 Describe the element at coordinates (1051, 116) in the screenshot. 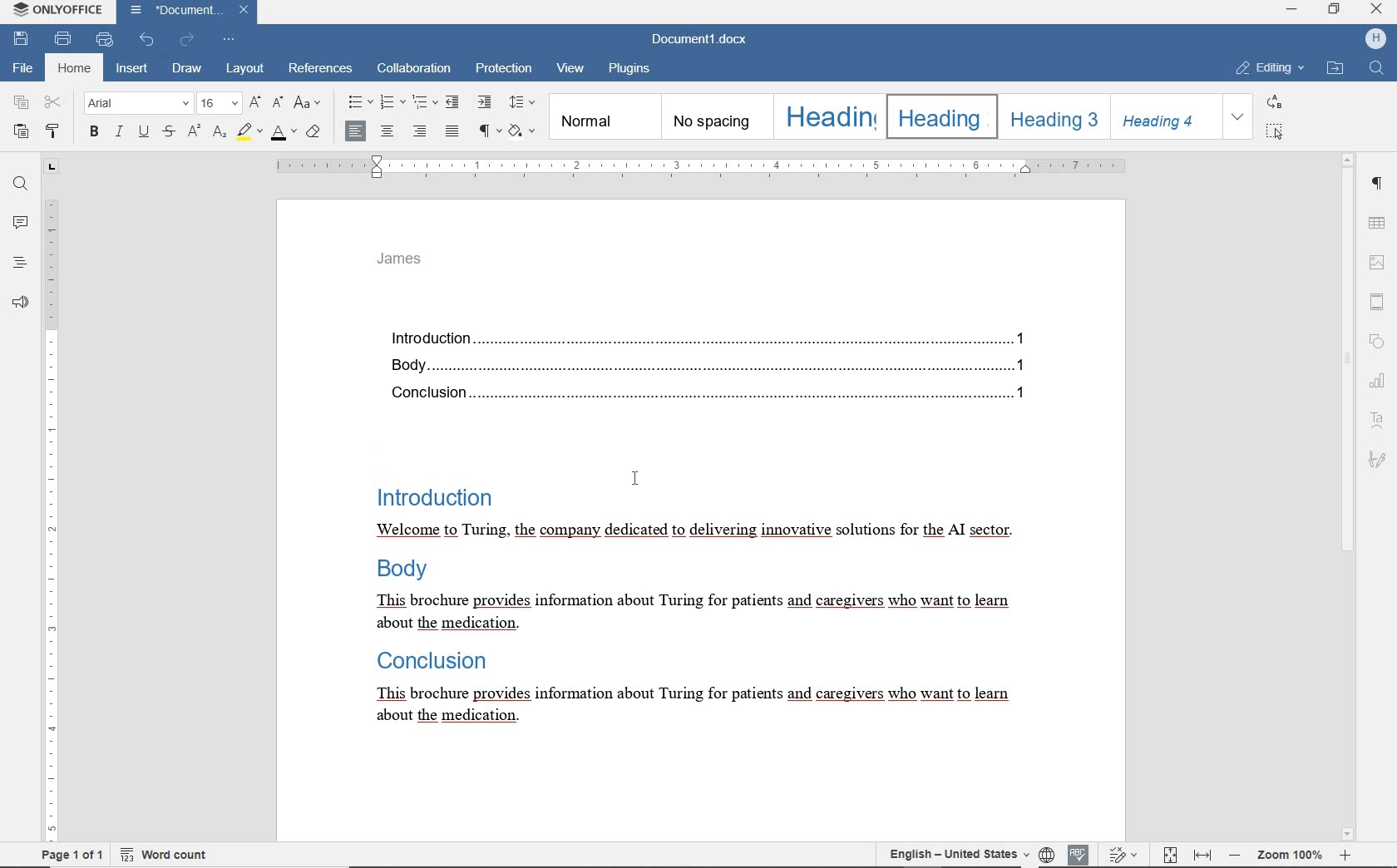

I see `Heading 3` at that location.